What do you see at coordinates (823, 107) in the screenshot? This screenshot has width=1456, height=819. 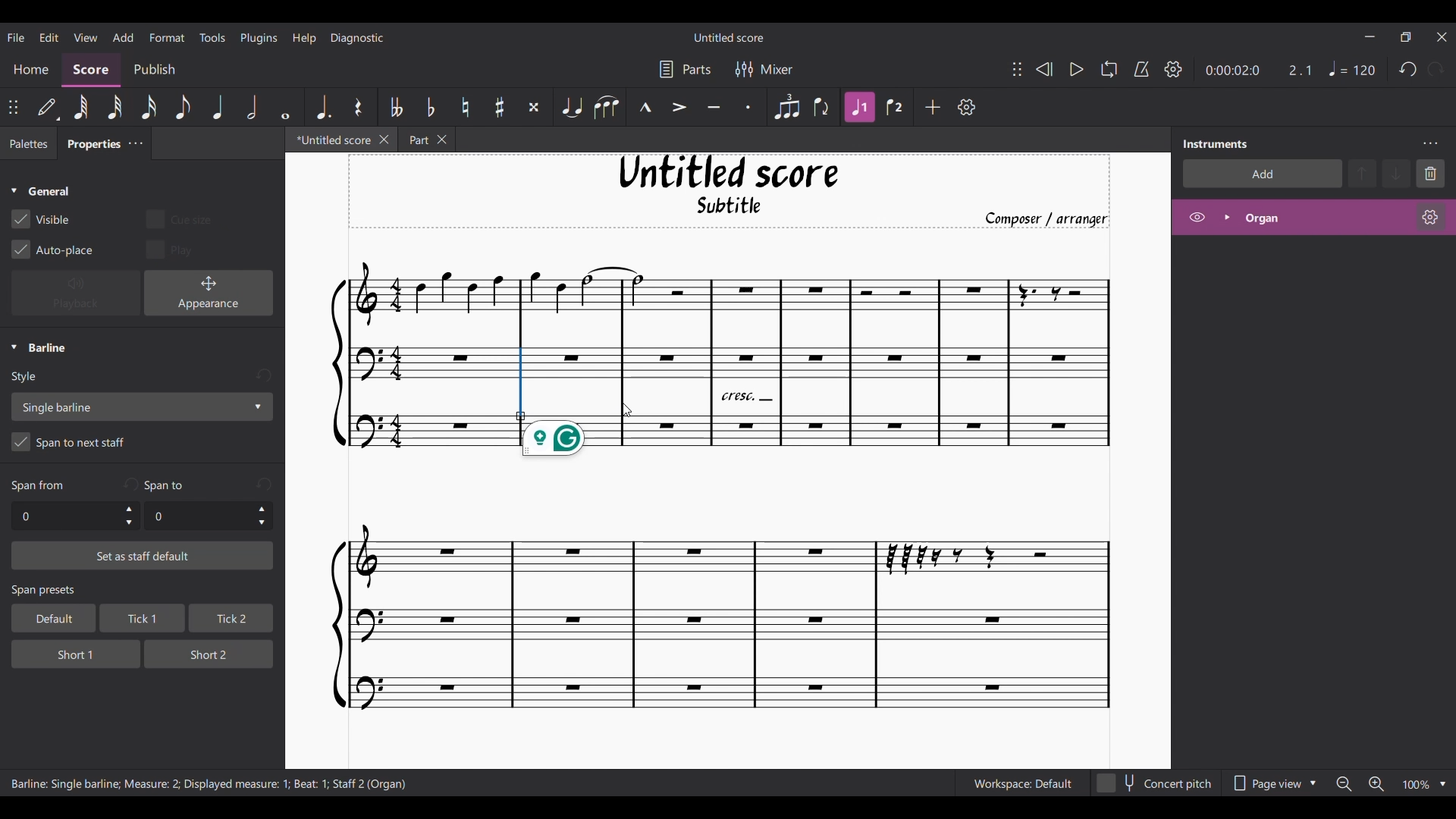 I see `Flip direction` at bounding box center [823, 107].